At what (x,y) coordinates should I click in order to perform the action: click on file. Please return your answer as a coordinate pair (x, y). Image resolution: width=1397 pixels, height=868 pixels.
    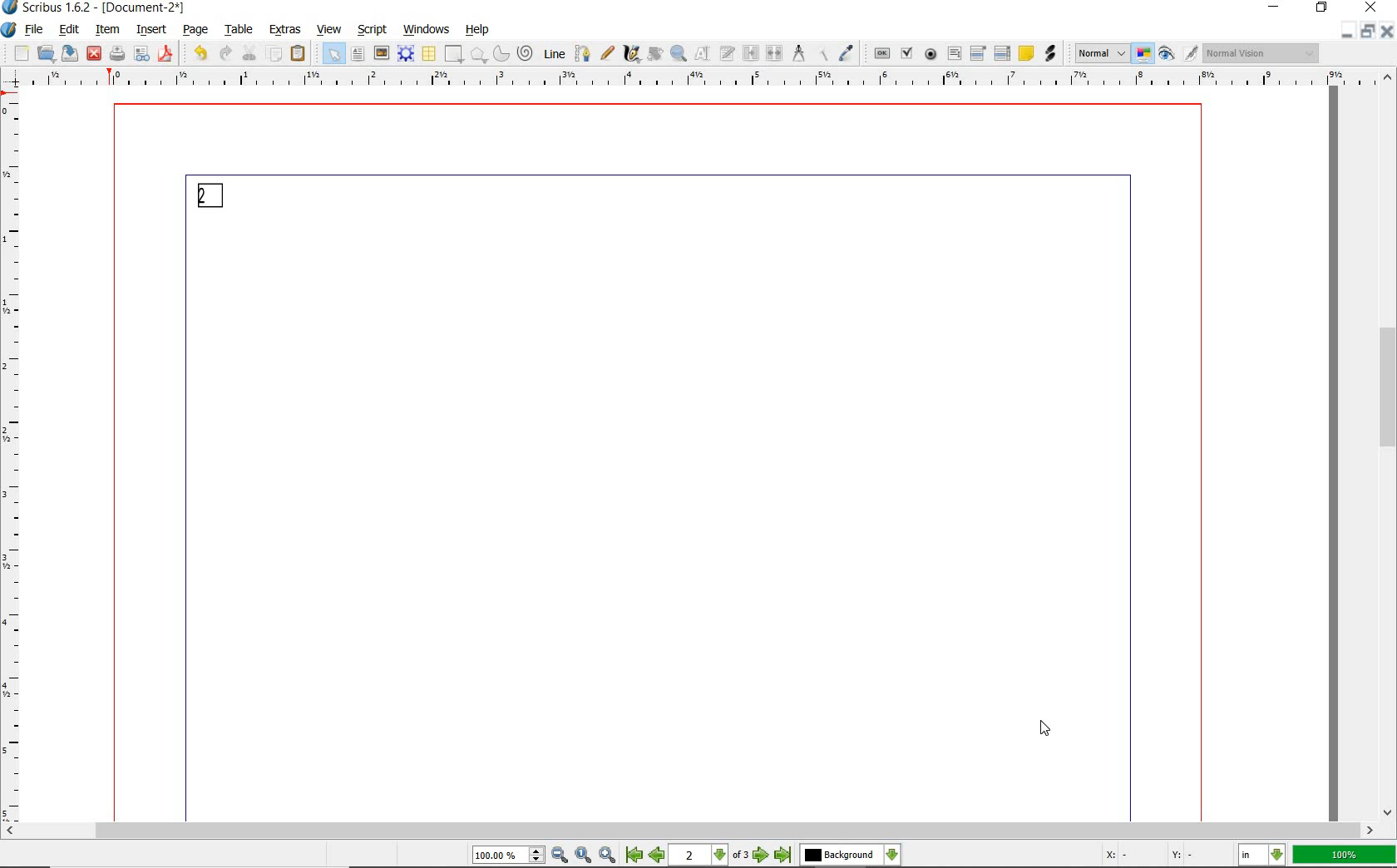
    Looking at the image, I should click on (36, 31).